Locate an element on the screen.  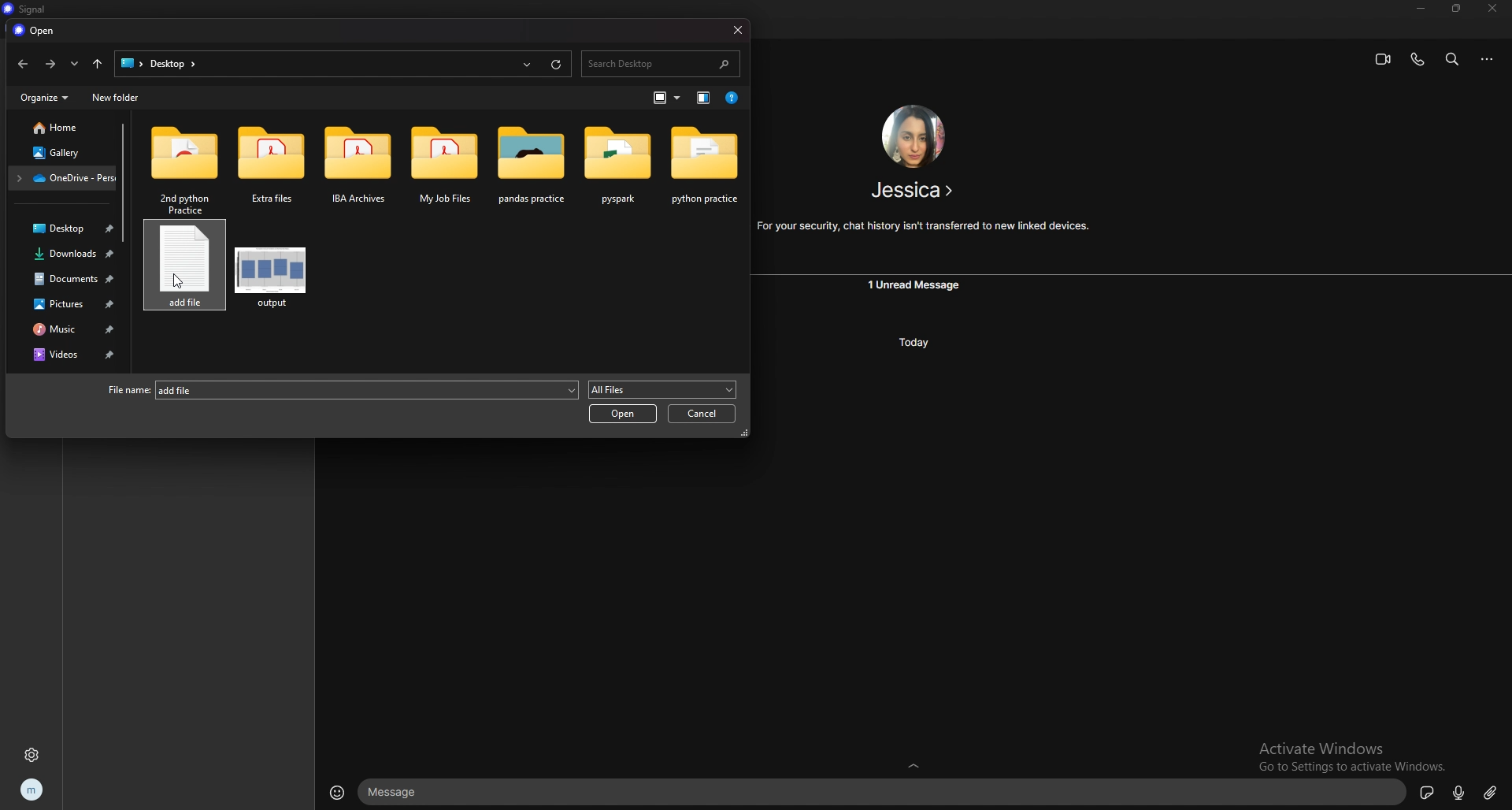
file name is located at coordinates (339, 390).